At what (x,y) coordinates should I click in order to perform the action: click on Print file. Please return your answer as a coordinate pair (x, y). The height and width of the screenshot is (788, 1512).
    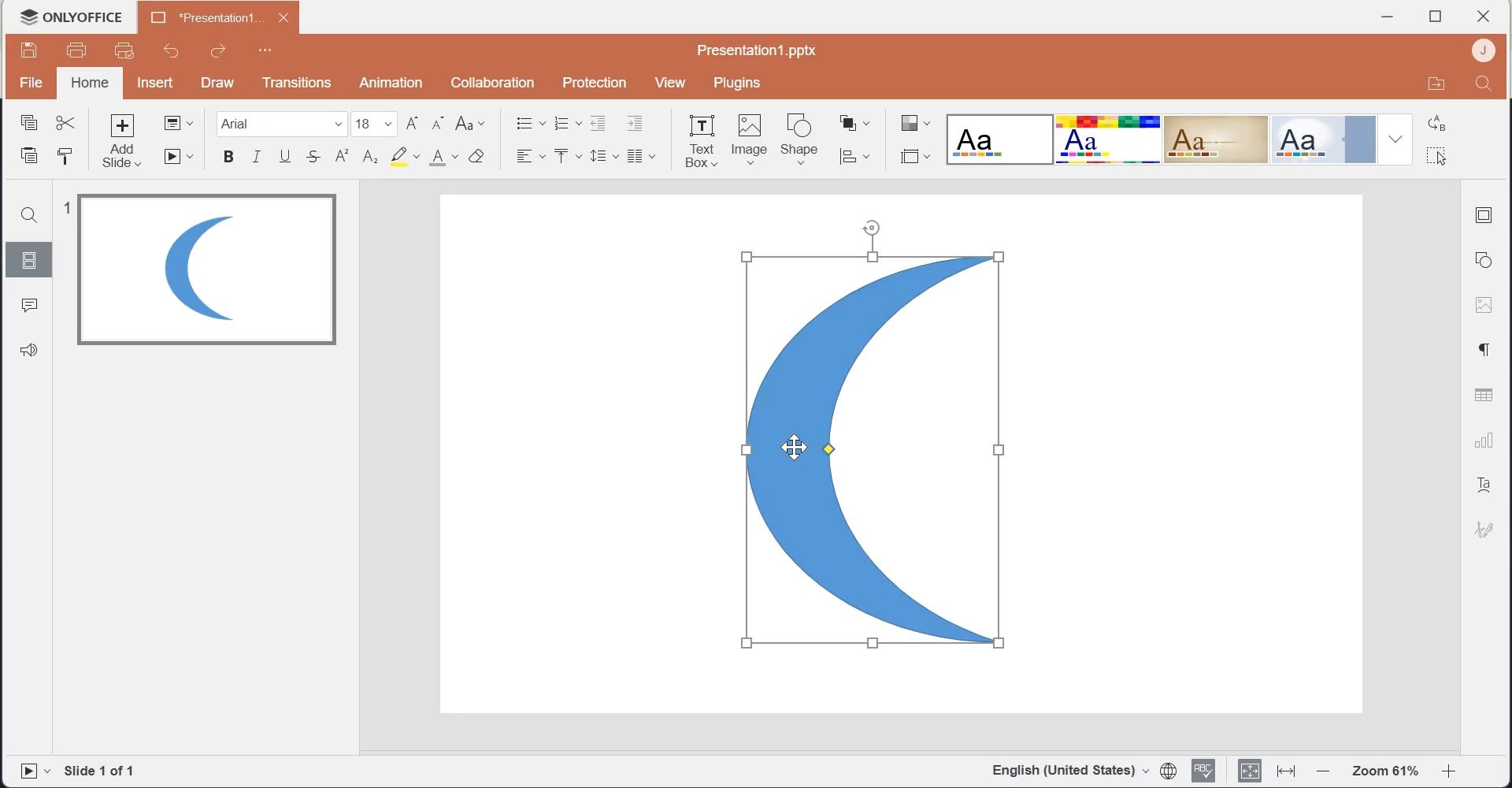
    Looking at the image, I should click on (79, 51).